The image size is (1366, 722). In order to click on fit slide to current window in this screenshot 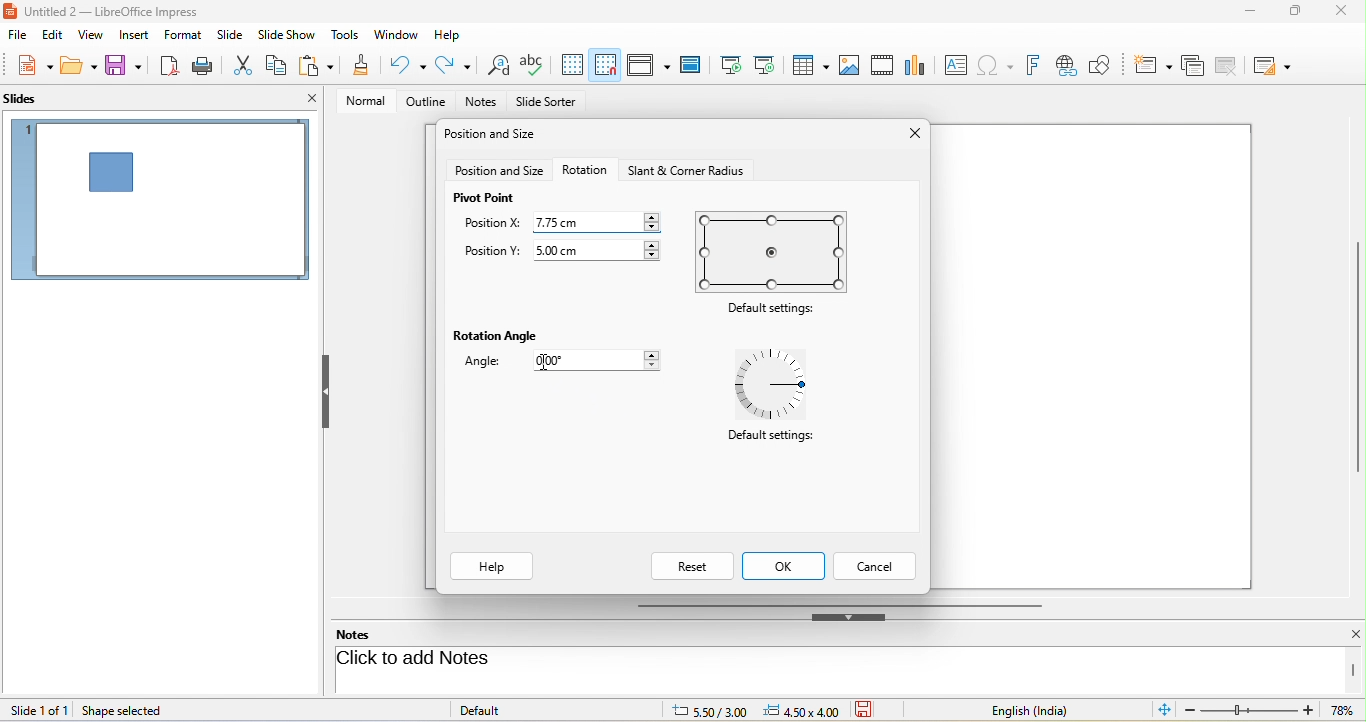, I will do `click(1166, 710)`.